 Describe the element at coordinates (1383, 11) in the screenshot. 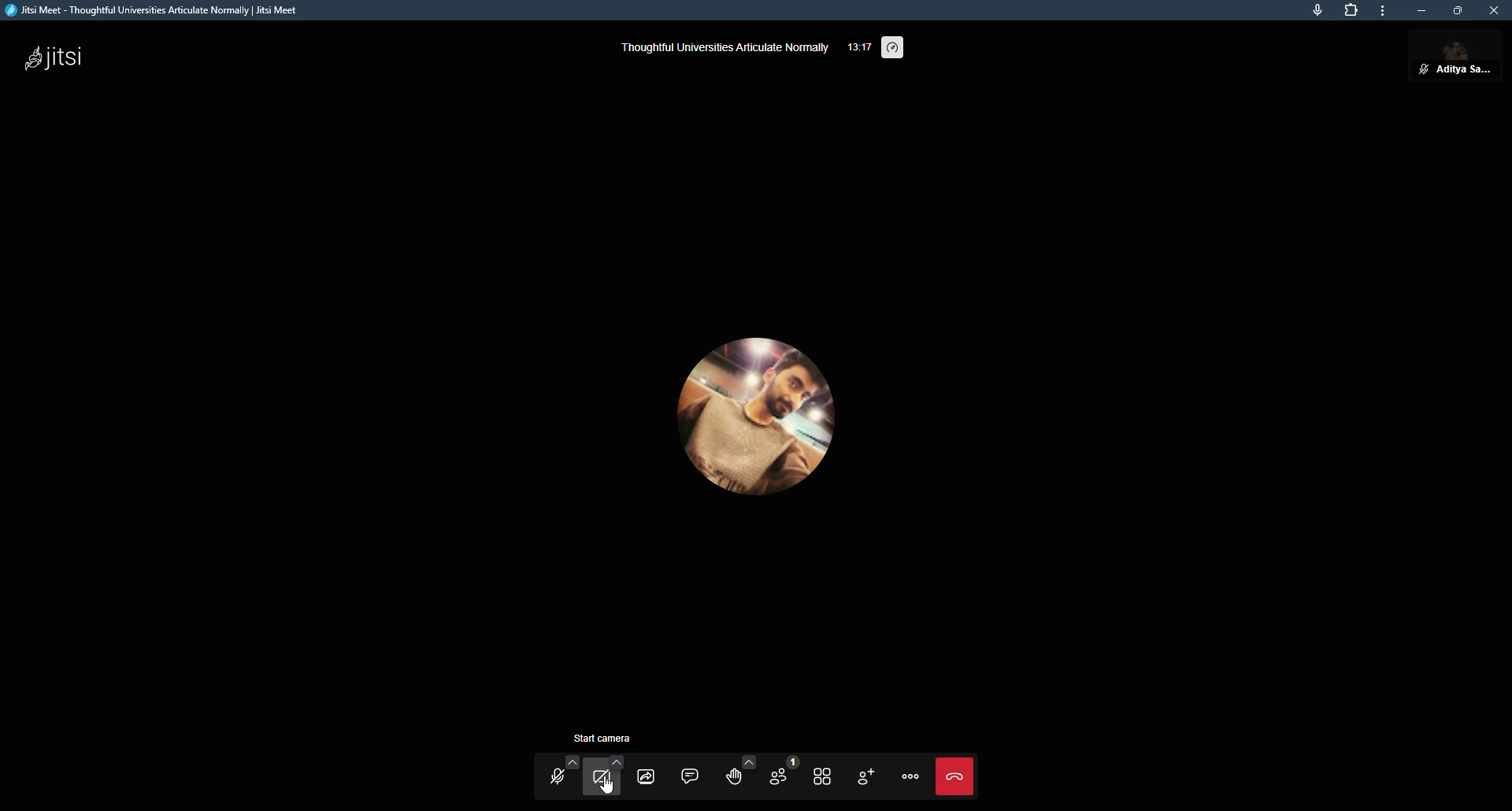

I see `more` at that location.